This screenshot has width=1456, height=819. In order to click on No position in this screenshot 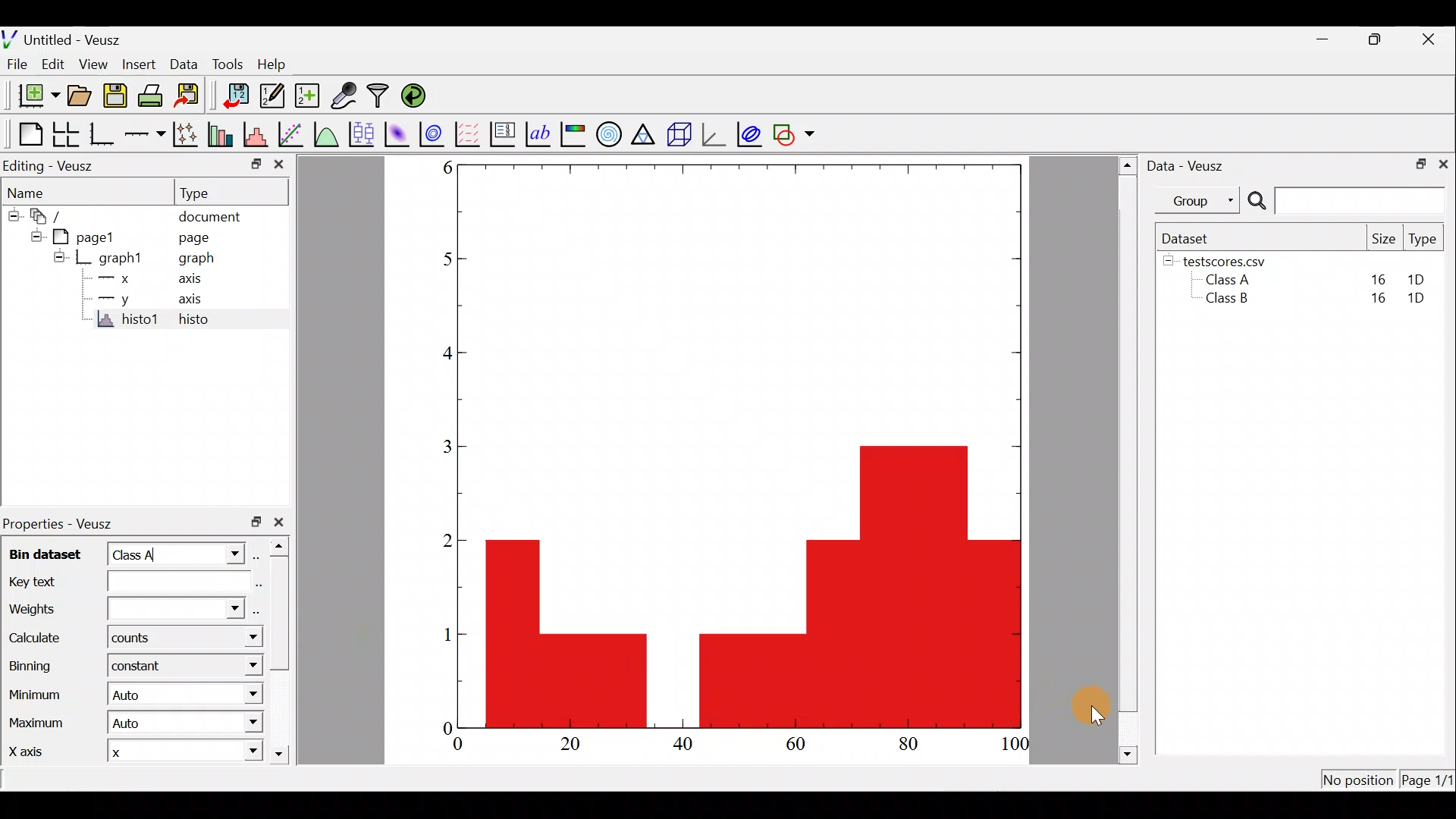, I will do `click(1357, 777)`.